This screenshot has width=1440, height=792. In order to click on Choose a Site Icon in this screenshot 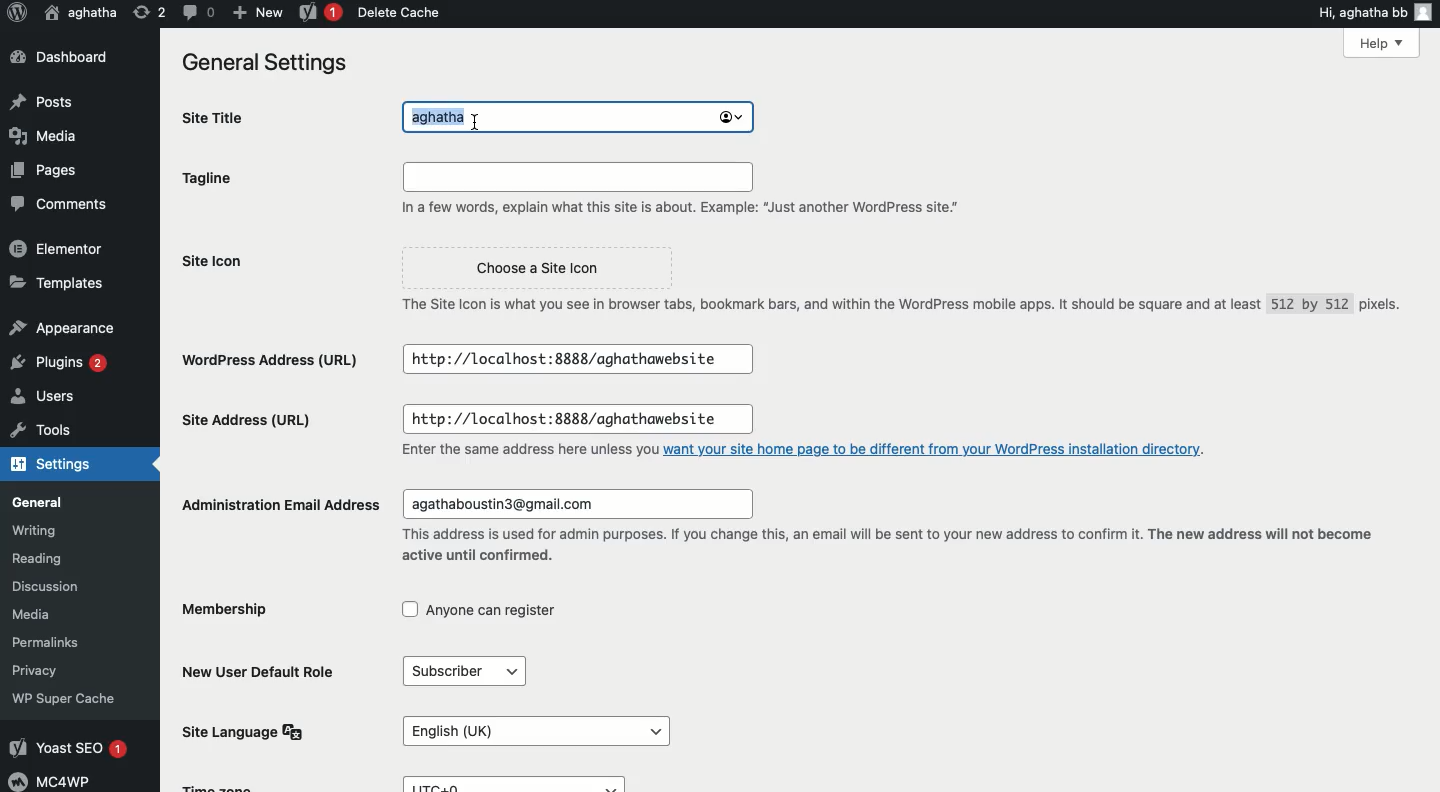, I will do `click(538, 268)`.